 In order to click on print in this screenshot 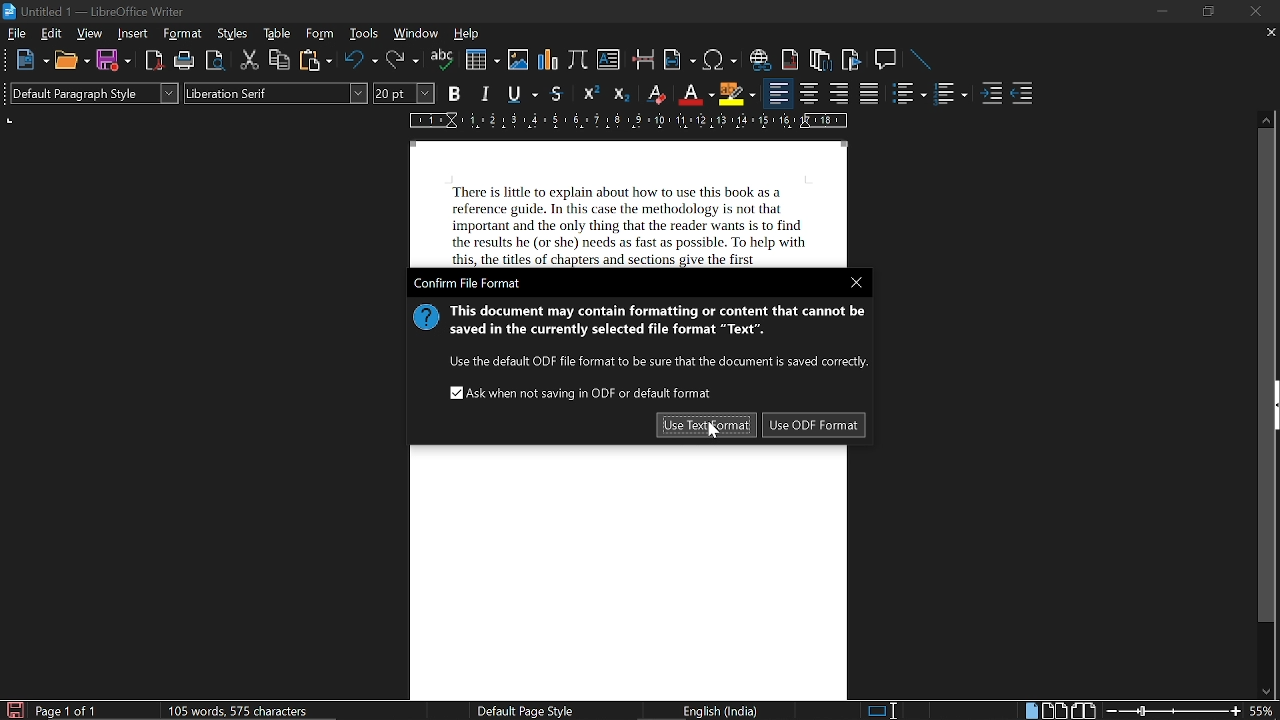, I will do `click(185, 60)`.